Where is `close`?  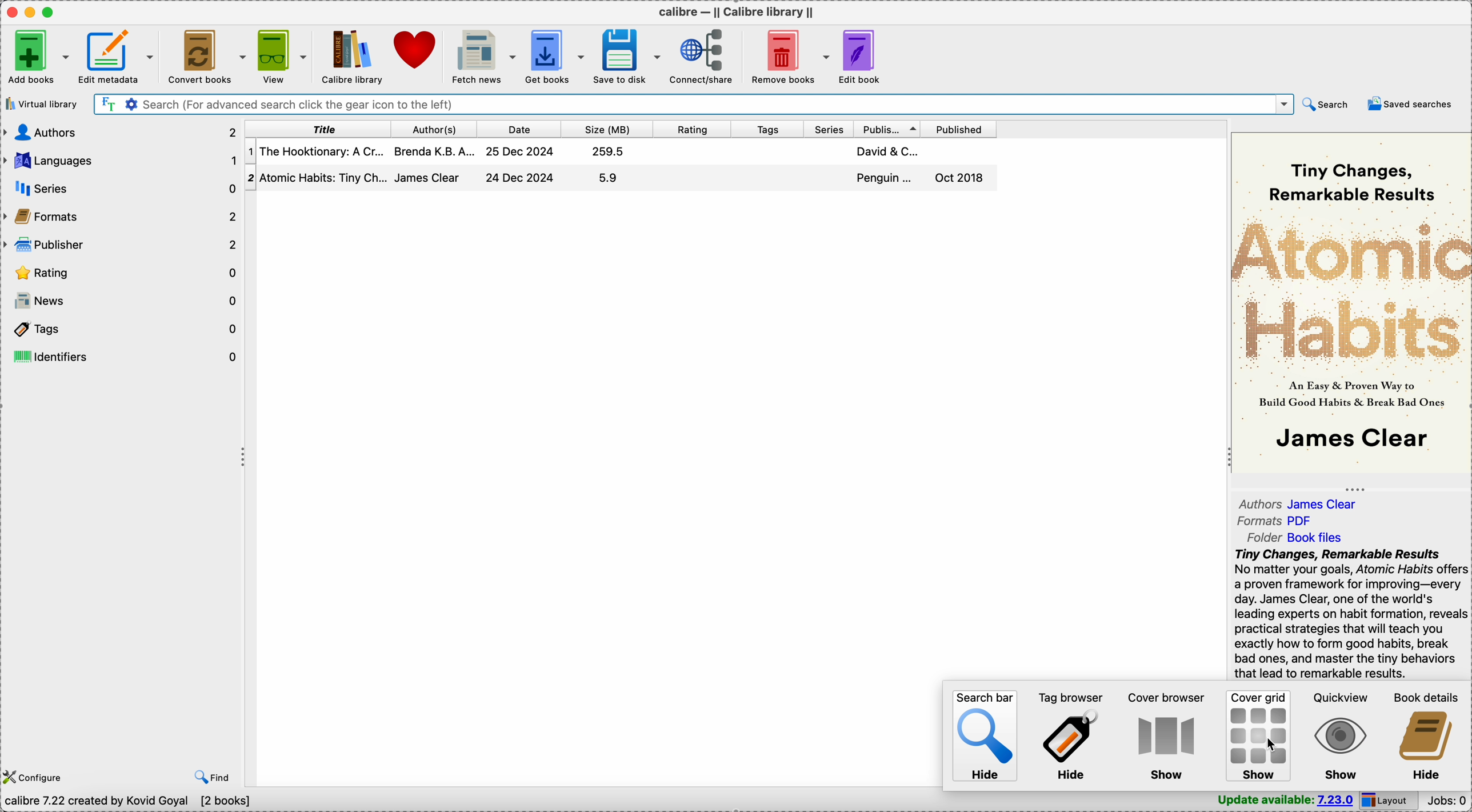 close is located at coordinates (13, 12).